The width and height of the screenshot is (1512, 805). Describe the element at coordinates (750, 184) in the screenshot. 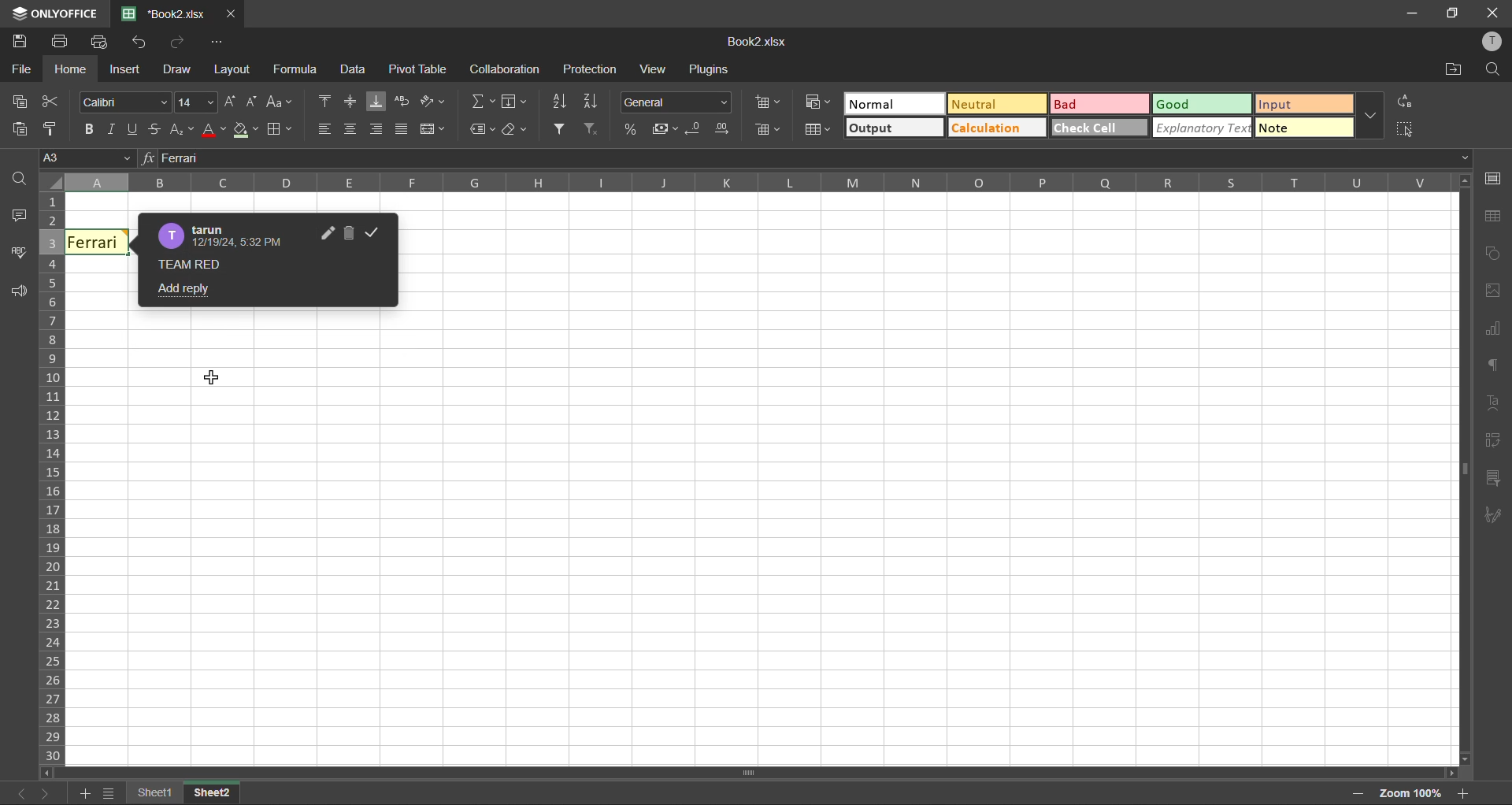

I see `column names` at that location.